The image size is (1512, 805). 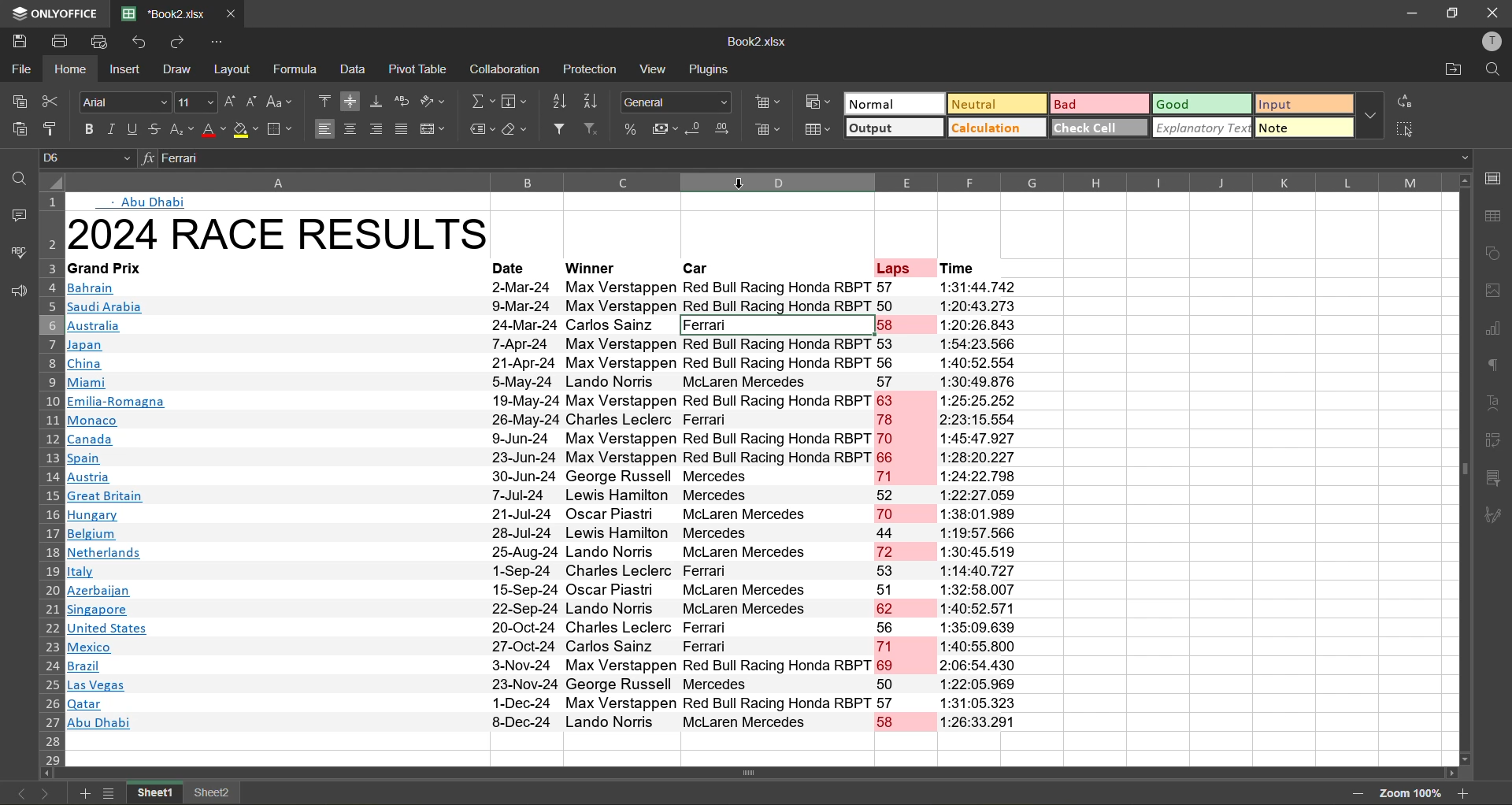 What do you see at coordinates (552, 421) in the screenshot?
I see `MB Monaco 26-May-24 Charles Leclerc Ferrari 78 2:23:15.554` at bounding box center [552, 421].